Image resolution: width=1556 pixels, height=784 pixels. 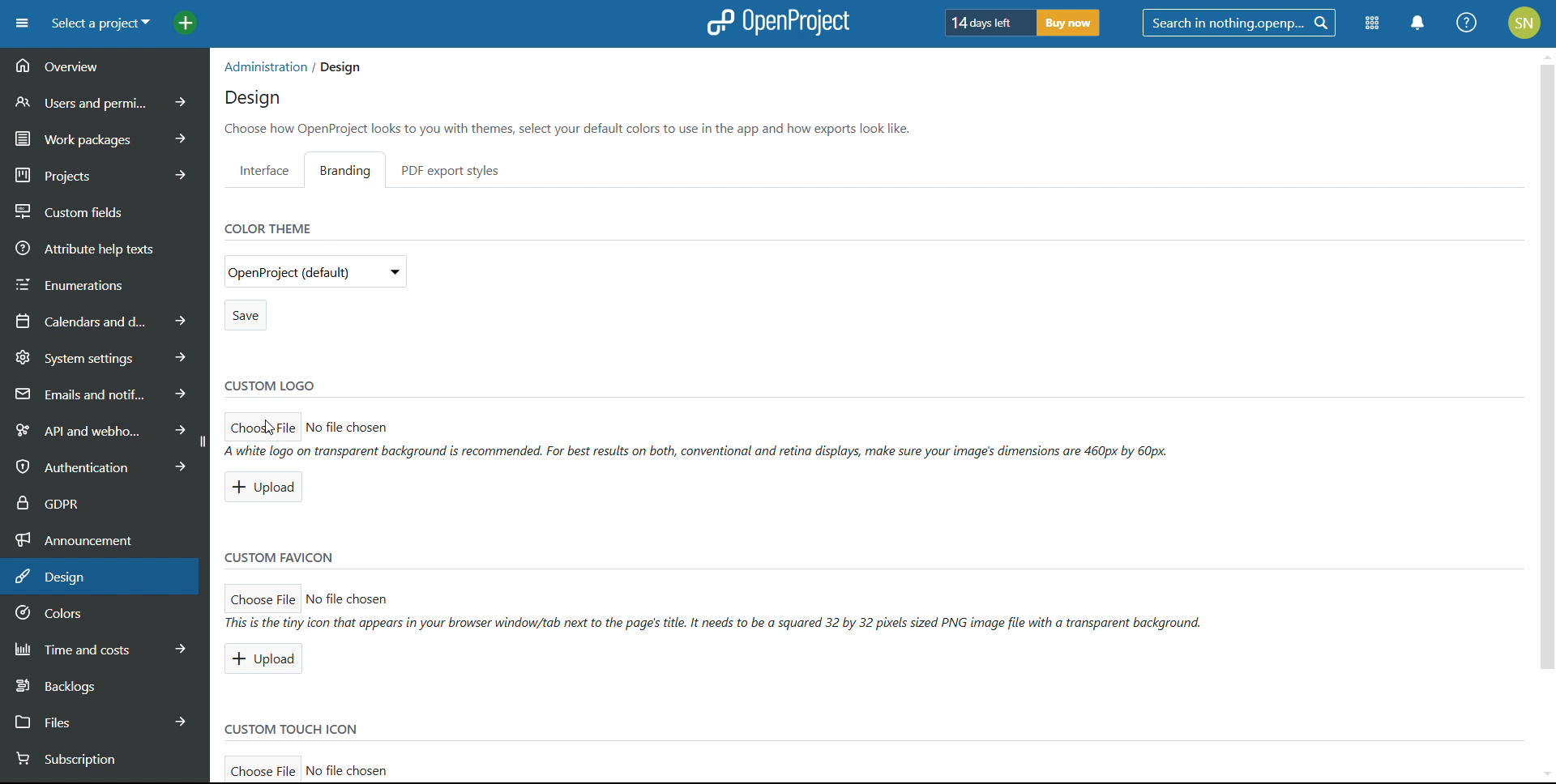 What do you see at coordinates (101, 393) in the screenshot?
I see `emails and notifications` at bounding box center [101, 393].